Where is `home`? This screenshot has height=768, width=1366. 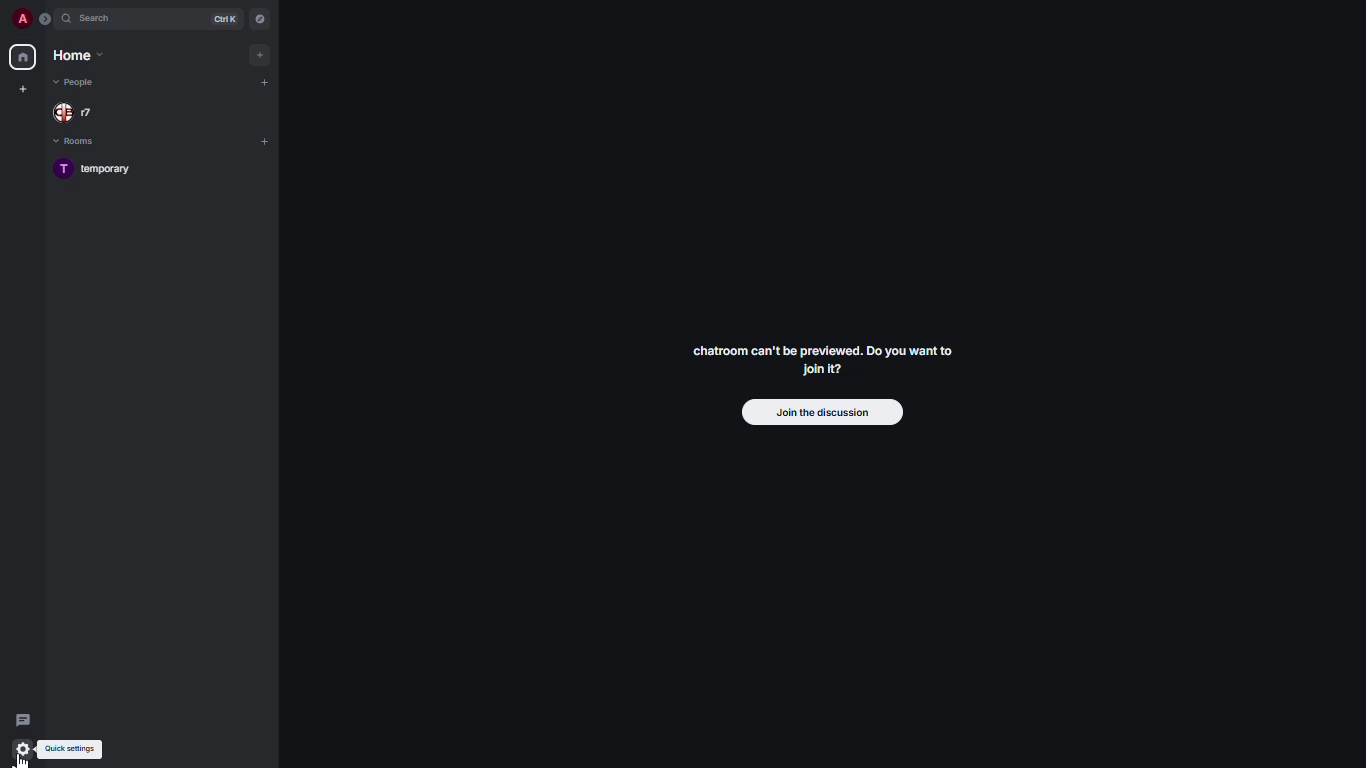
home is located at coordinates (77, 57).